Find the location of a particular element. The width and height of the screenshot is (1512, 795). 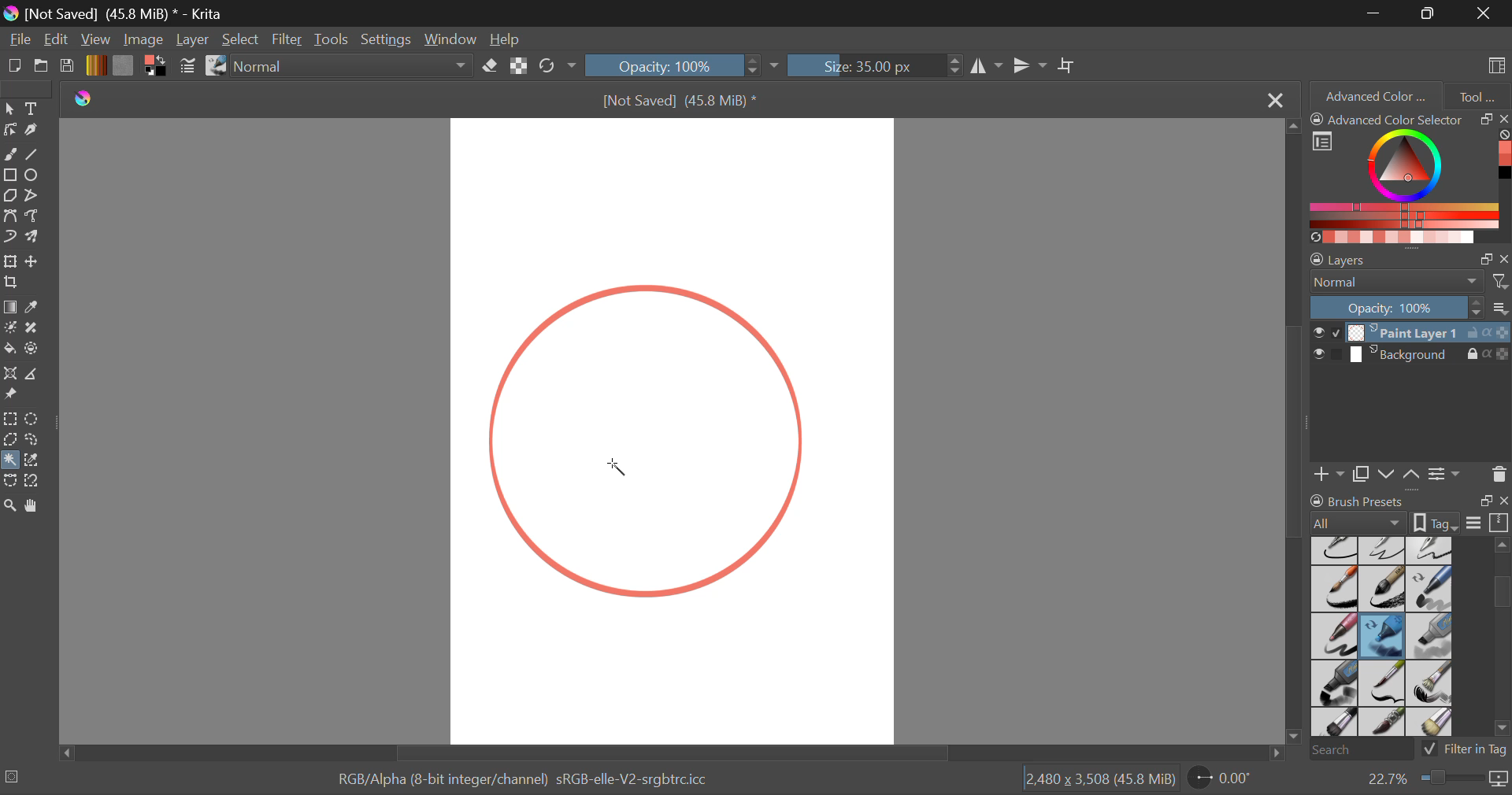

Bristles-3 Large Smooth is located at coordinates (1333, 723).